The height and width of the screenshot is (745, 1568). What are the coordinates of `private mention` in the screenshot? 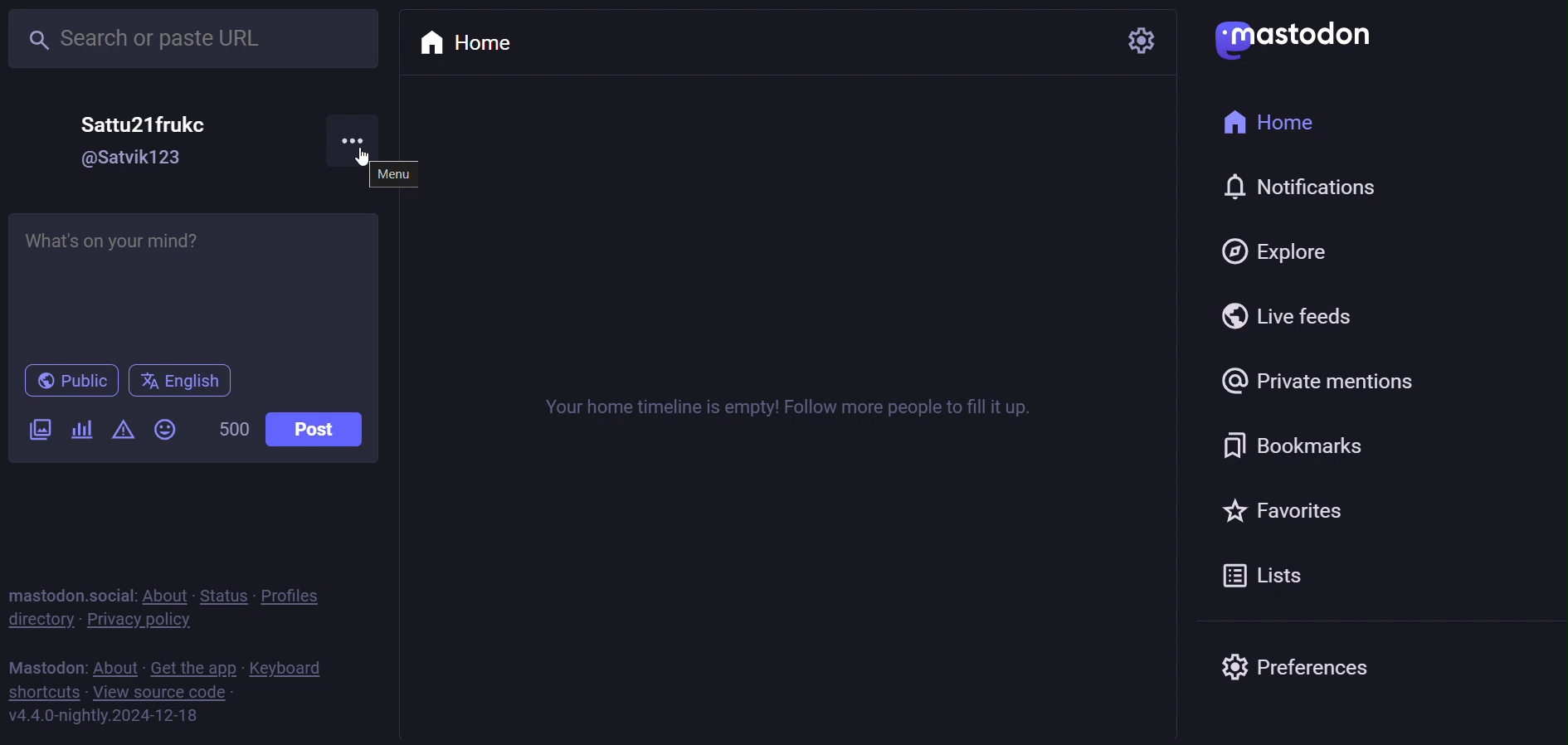 It's located at (1311, 384).